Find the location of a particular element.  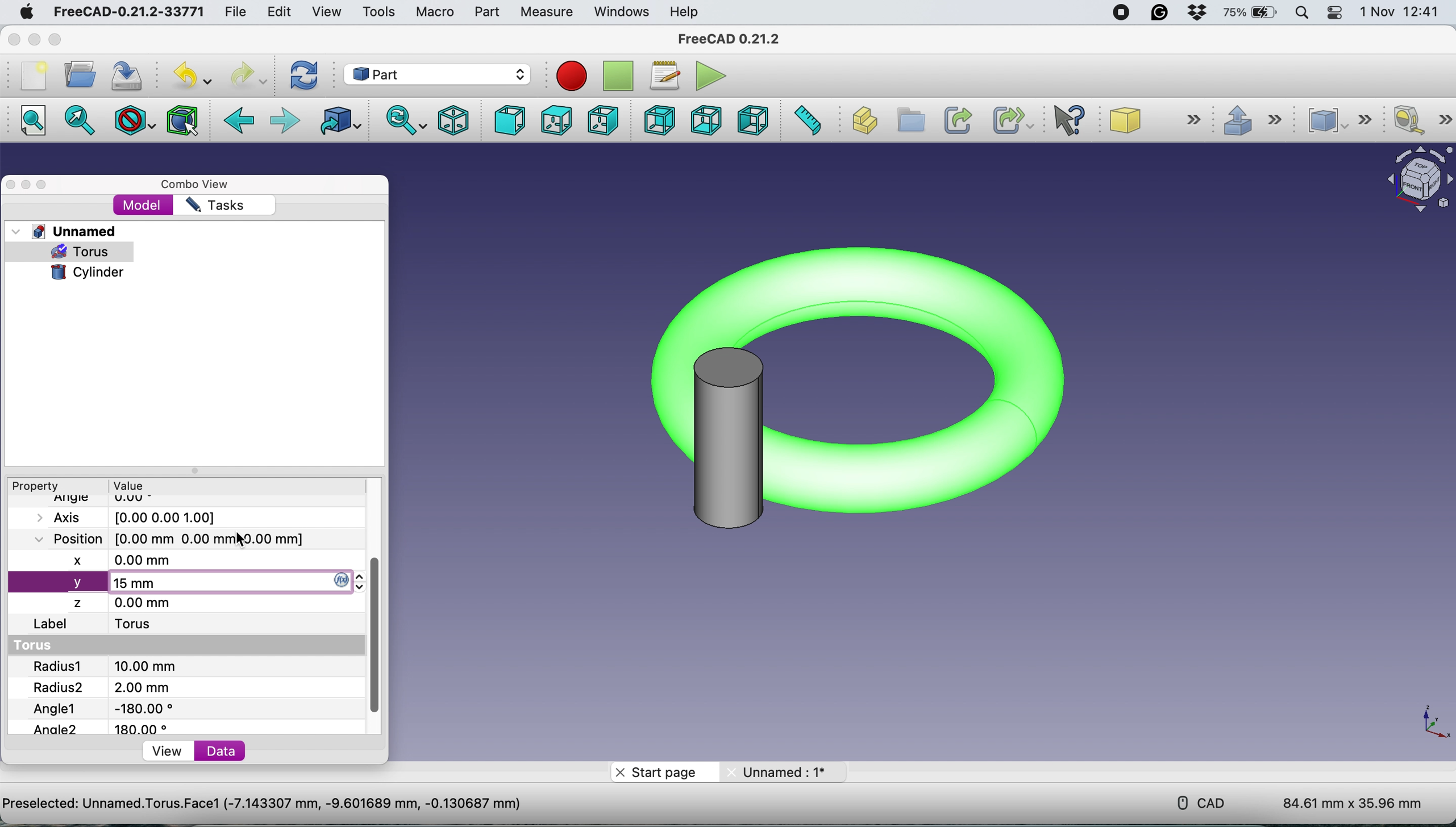

Radius 1 and 2's value is located at coordinates (133, 678).